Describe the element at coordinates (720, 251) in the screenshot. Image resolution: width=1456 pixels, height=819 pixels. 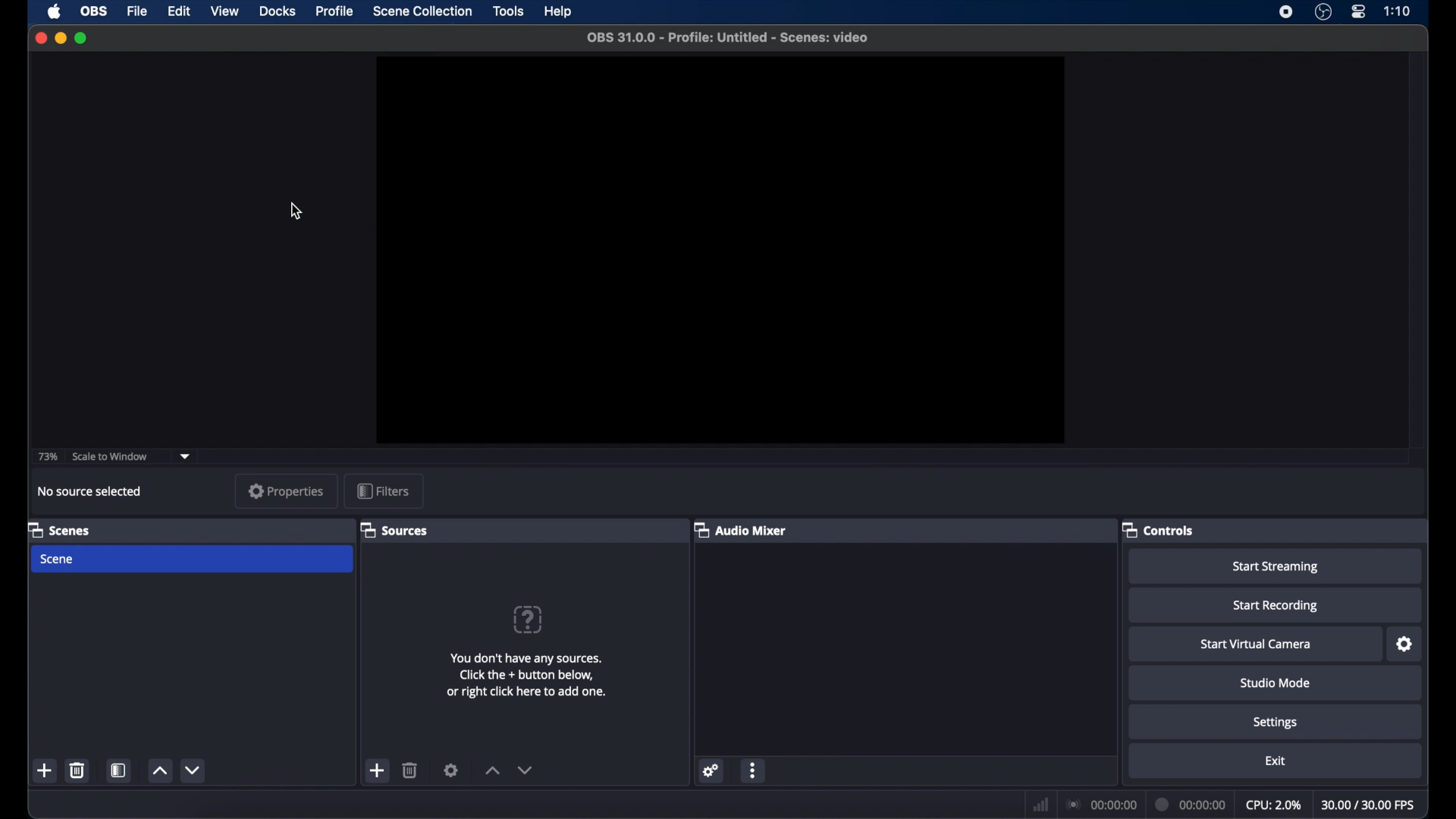
I see `preview` at that location.